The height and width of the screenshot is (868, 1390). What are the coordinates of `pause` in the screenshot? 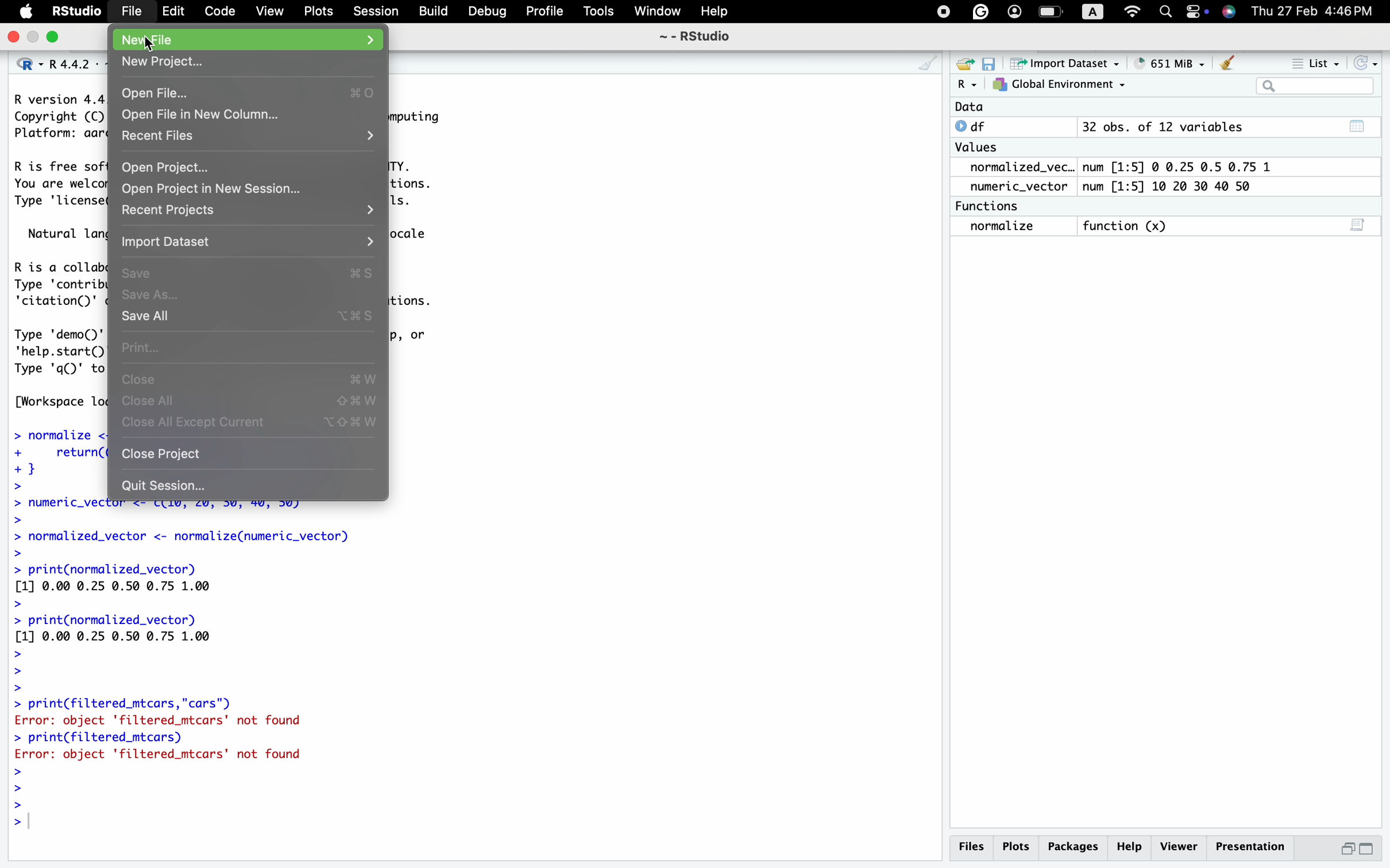 It's located at (939, 13).